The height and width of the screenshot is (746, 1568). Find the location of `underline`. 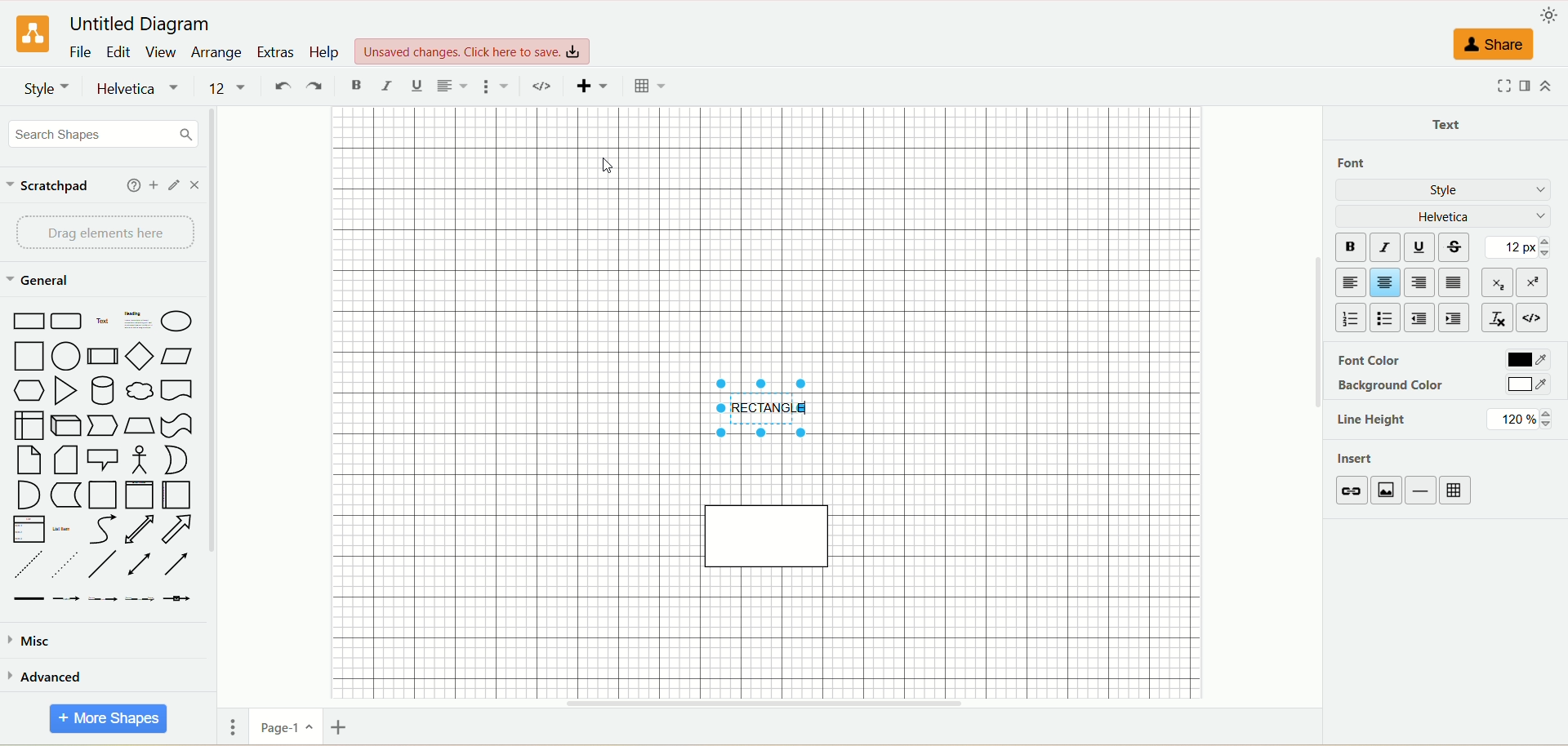

underline is located at coordinates (1424, 246).